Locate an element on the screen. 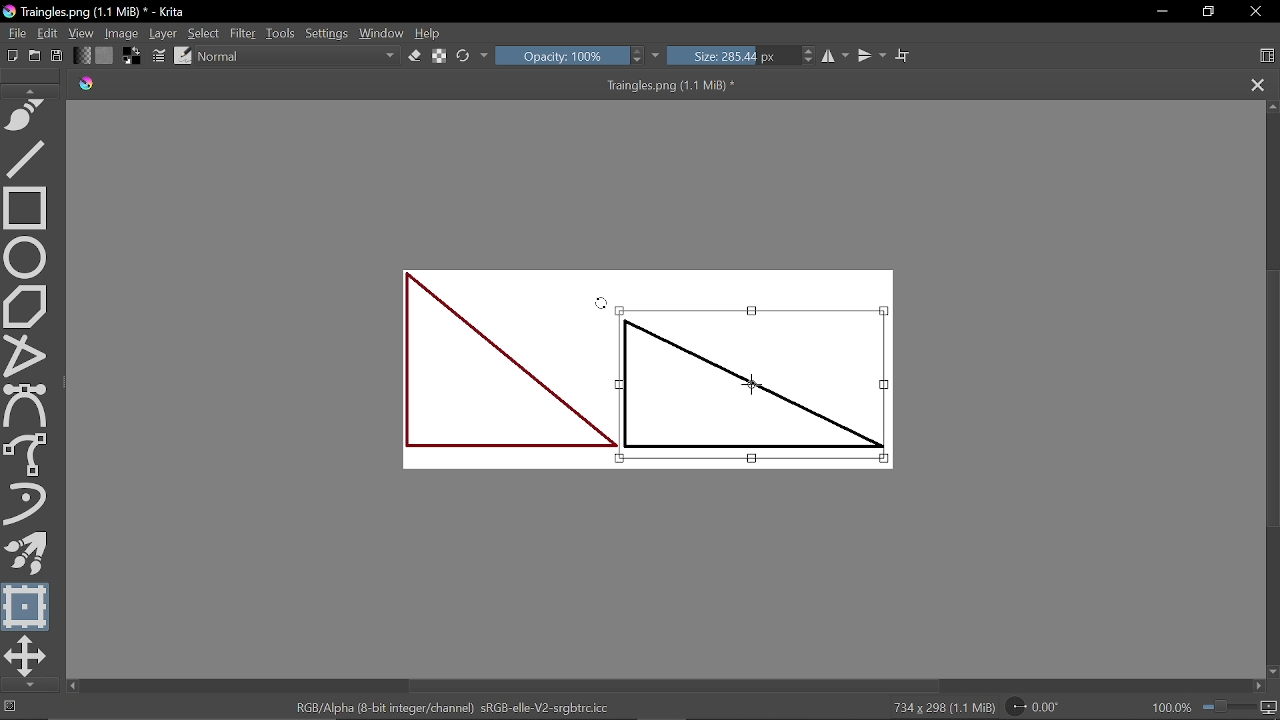 This screenshot has width=1280, height=720. Fill pattern is located at coordinates (105, 56).